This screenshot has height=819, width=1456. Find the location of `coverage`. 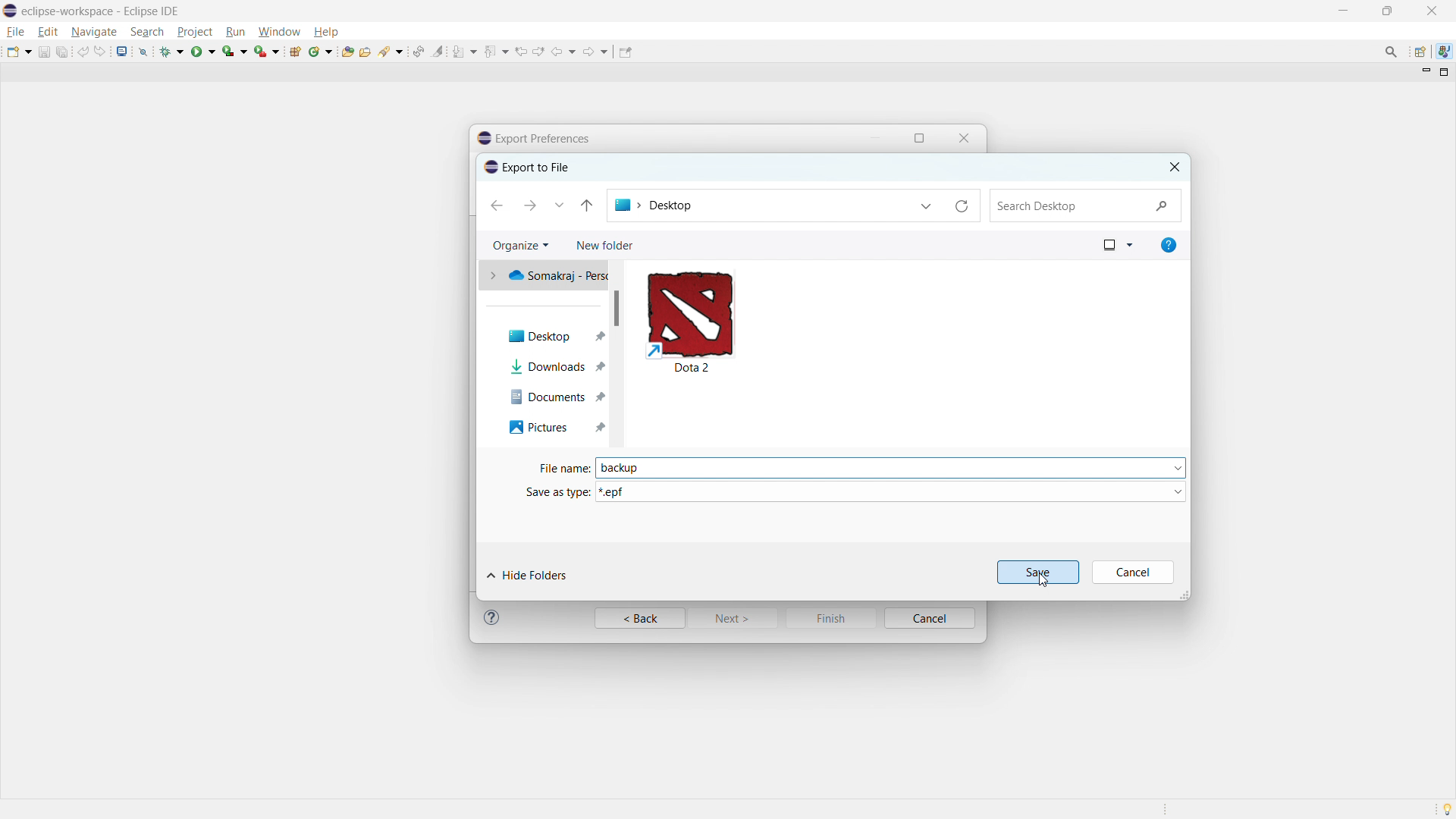

coverage is located at coordinates (234, 51).